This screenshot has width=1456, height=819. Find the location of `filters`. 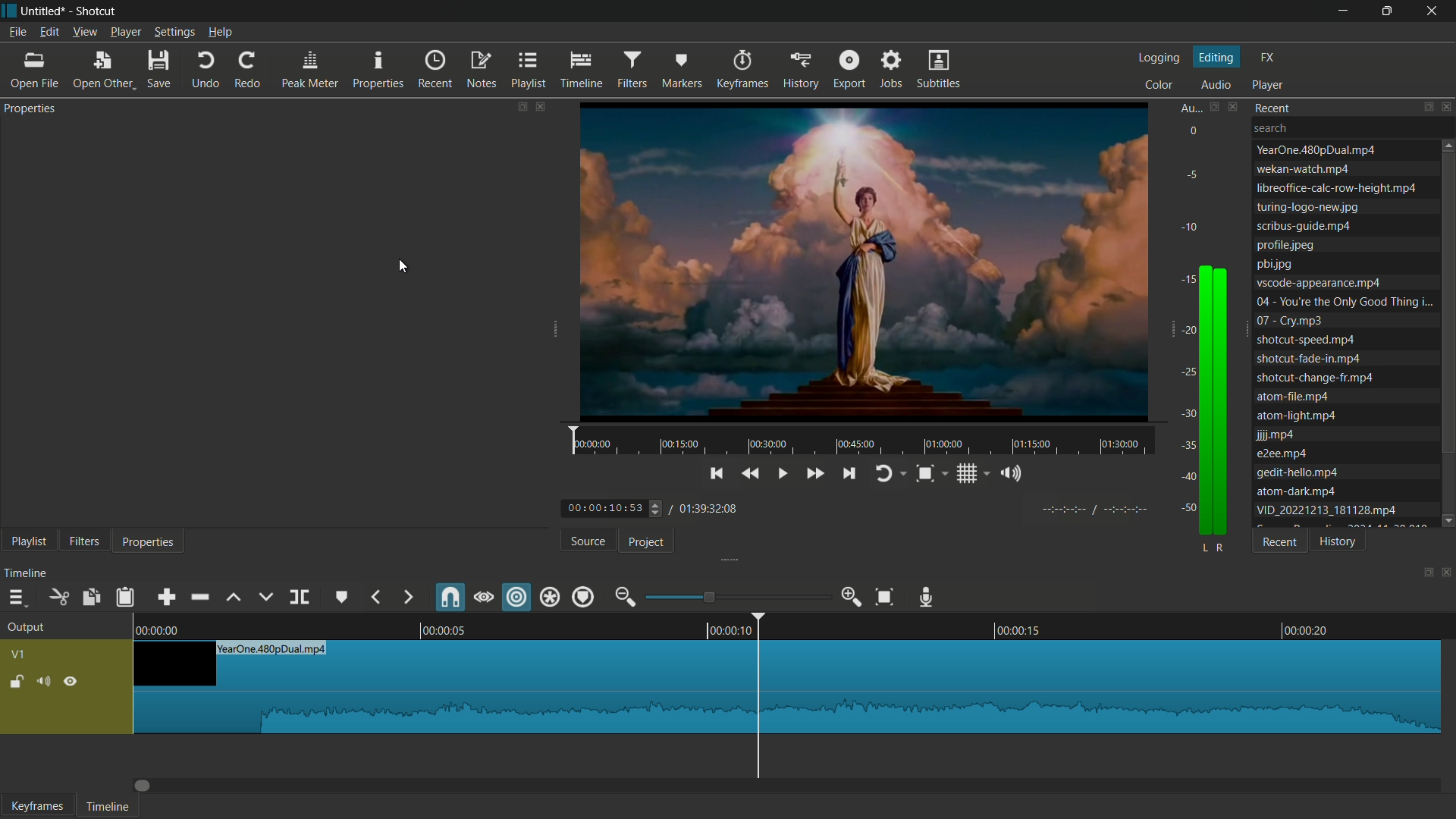

filters is located at coordinates (83, 541).